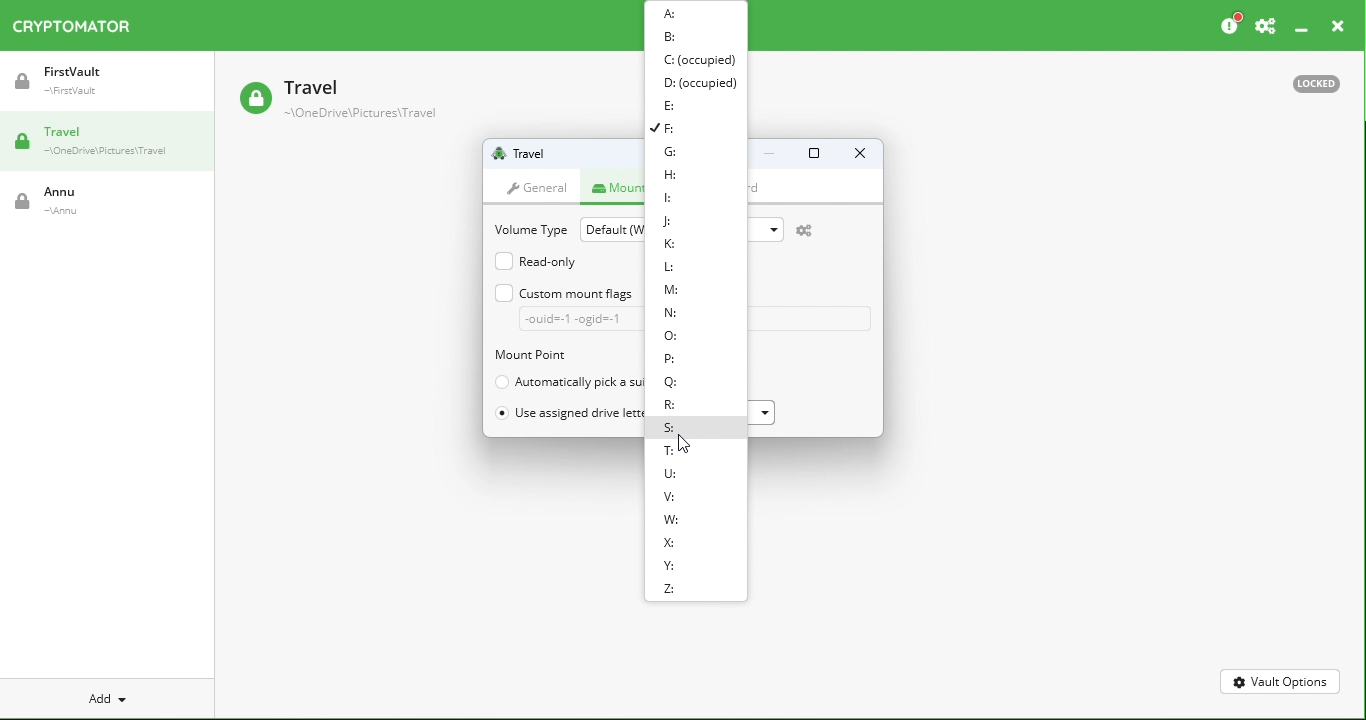 Image resolution: width=1366 pixels, height=720 pixels. I want to click on Use assigned drive letter, so click(568, 415).